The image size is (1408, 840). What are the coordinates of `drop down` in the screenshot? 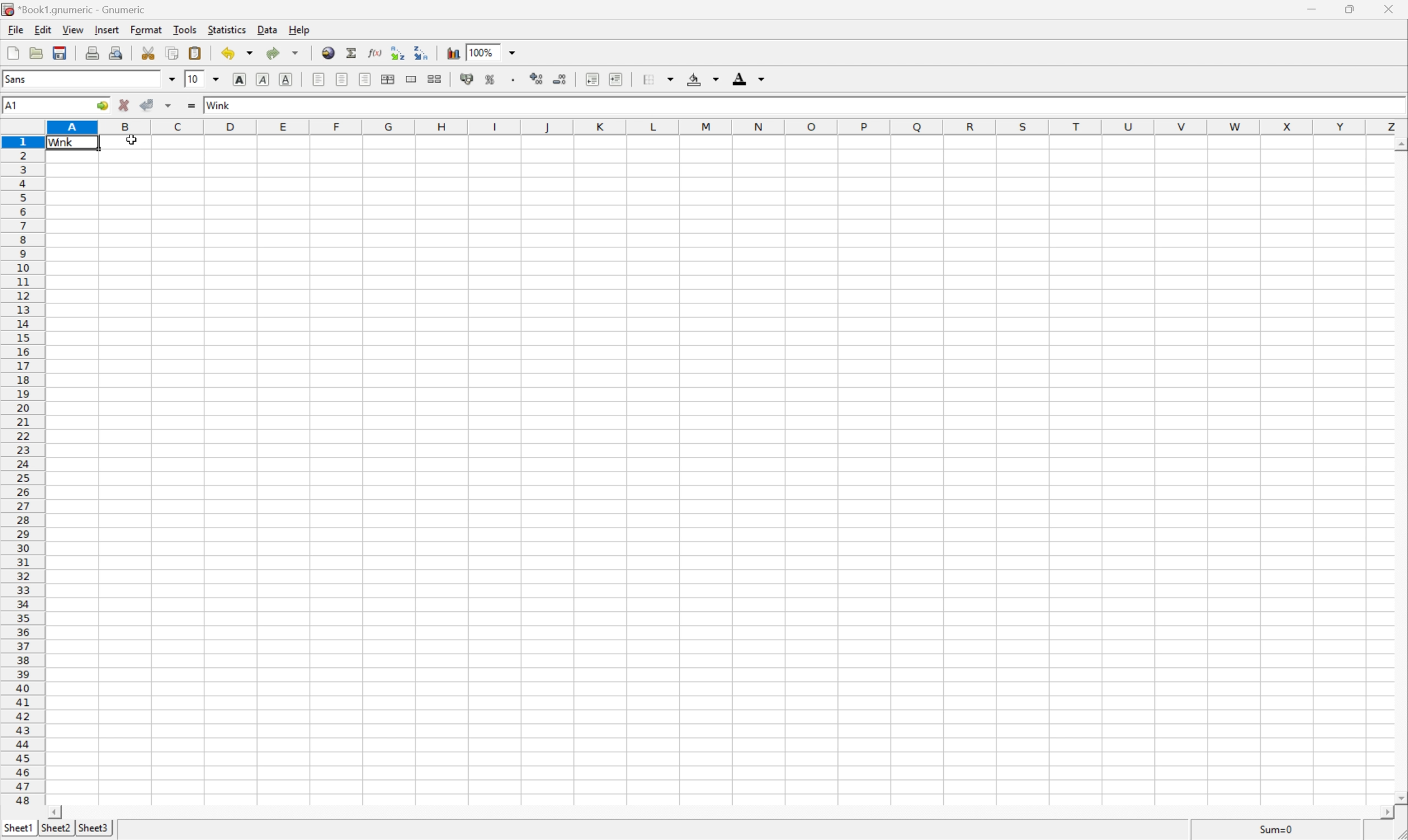 It's located at (216, 78).